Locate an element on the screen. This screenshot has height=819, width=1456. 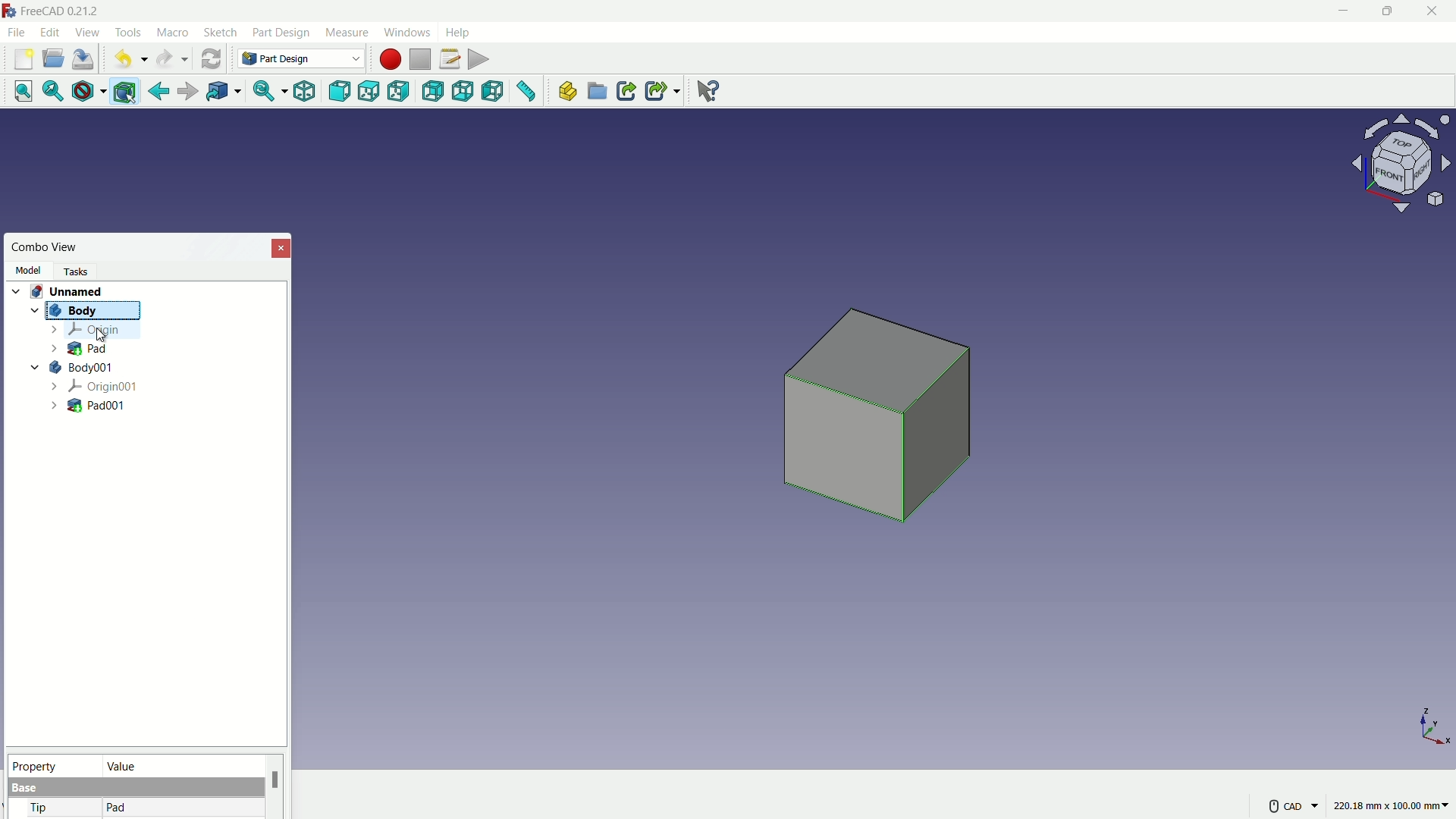
save file is located at coordinates (85, 60).